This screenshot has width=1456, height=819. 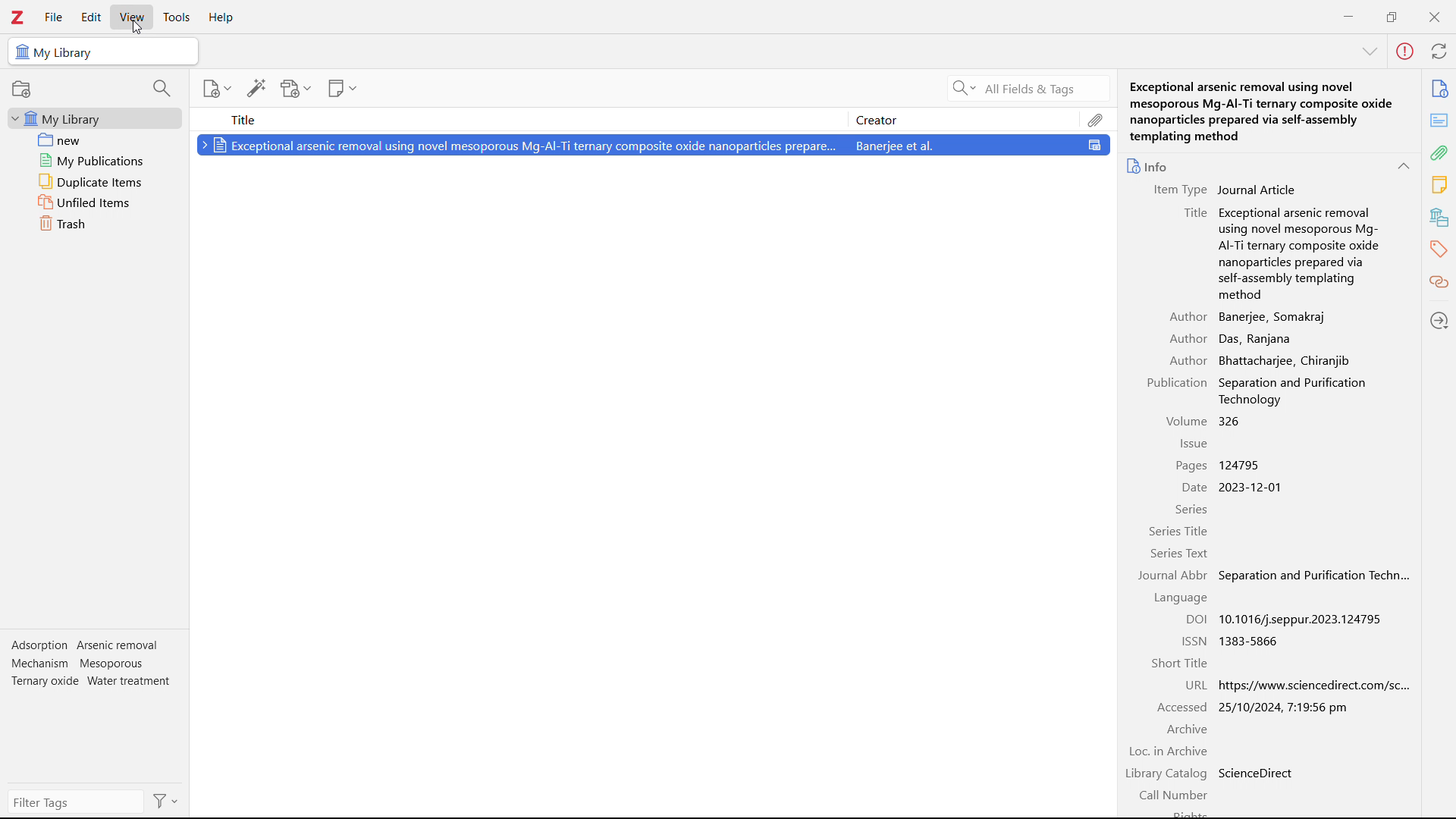 I want to click on Title, so click(x=1194, y=214).